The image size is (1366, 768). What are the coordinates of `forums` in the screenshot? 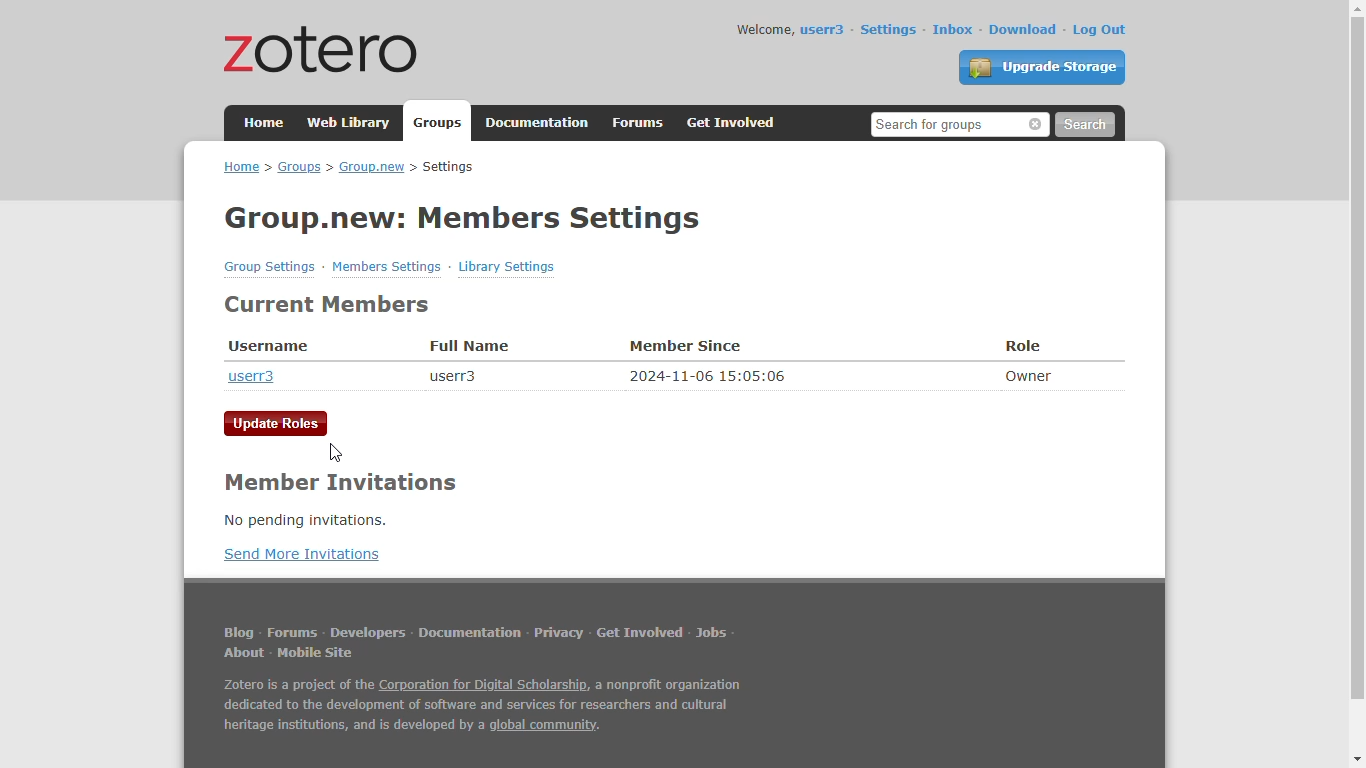 It's located at (639, 123).